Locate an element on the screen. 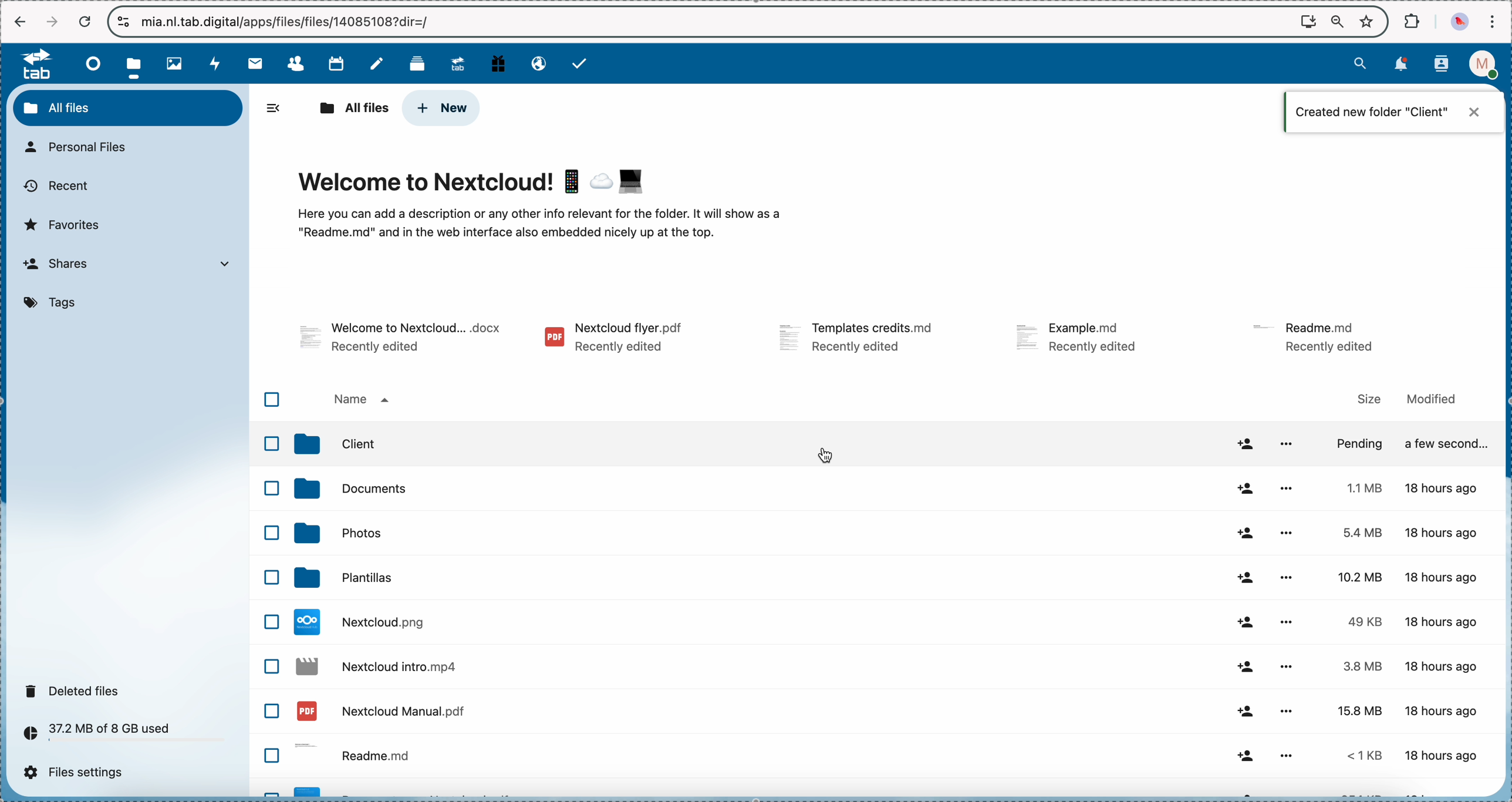 Image resolution: width=1512 pixels, height=802 pixels. tab is located at coordinates (31, 63).